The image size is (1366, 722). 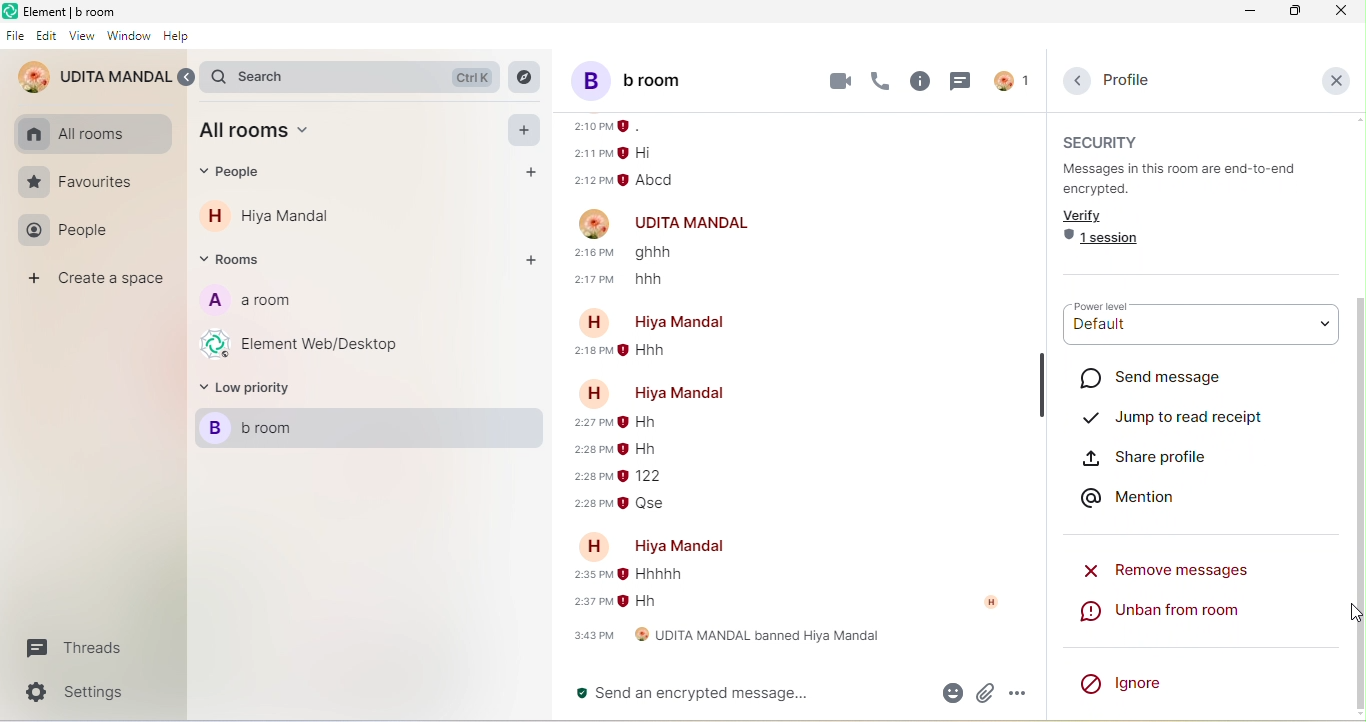 What do you see at coordinates (84, 35) in the screenshot?
I see `view` at bounding box center [84, 35].